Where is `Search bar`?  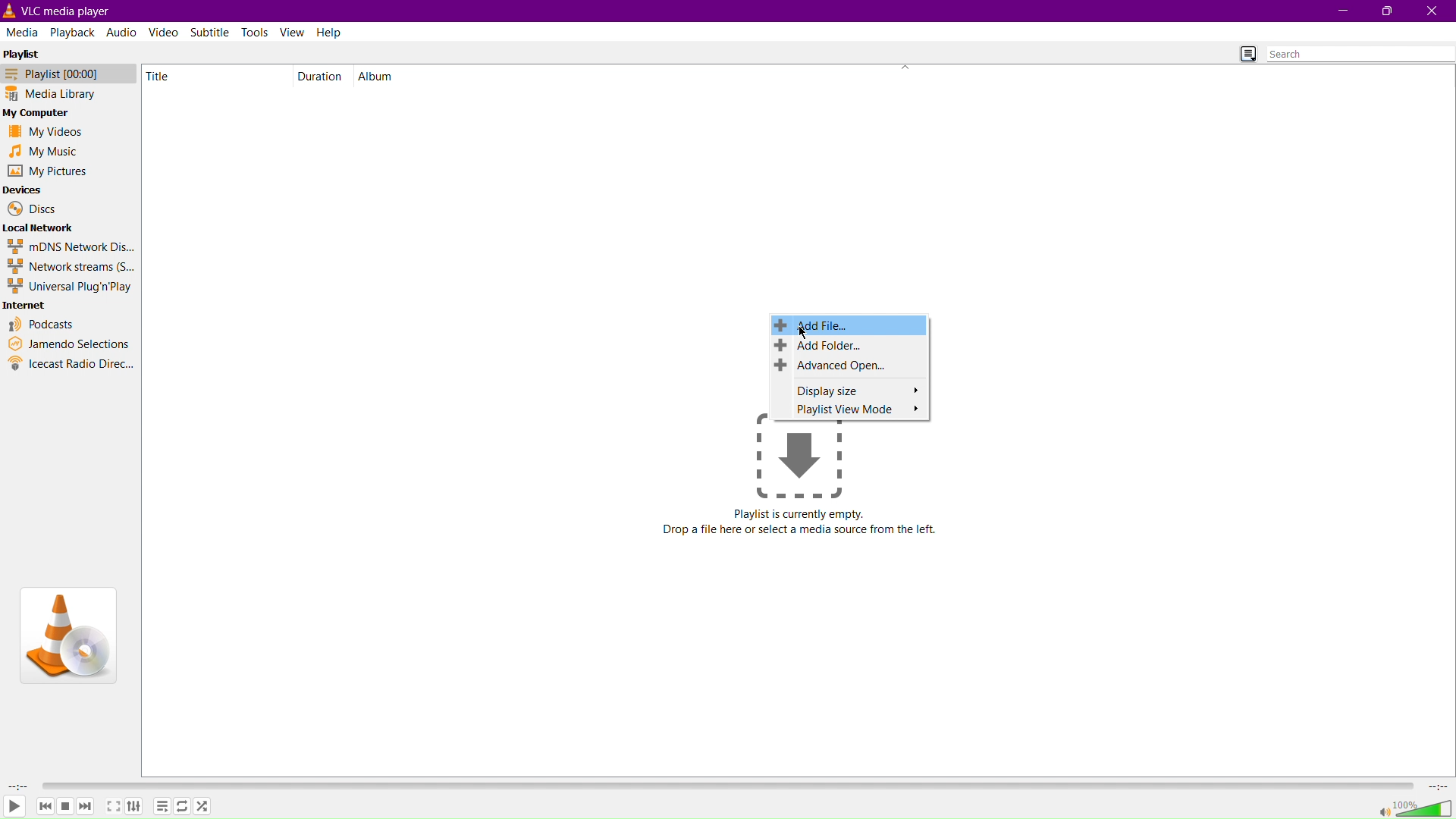 Search bar is located at coordinates (1360, 54).